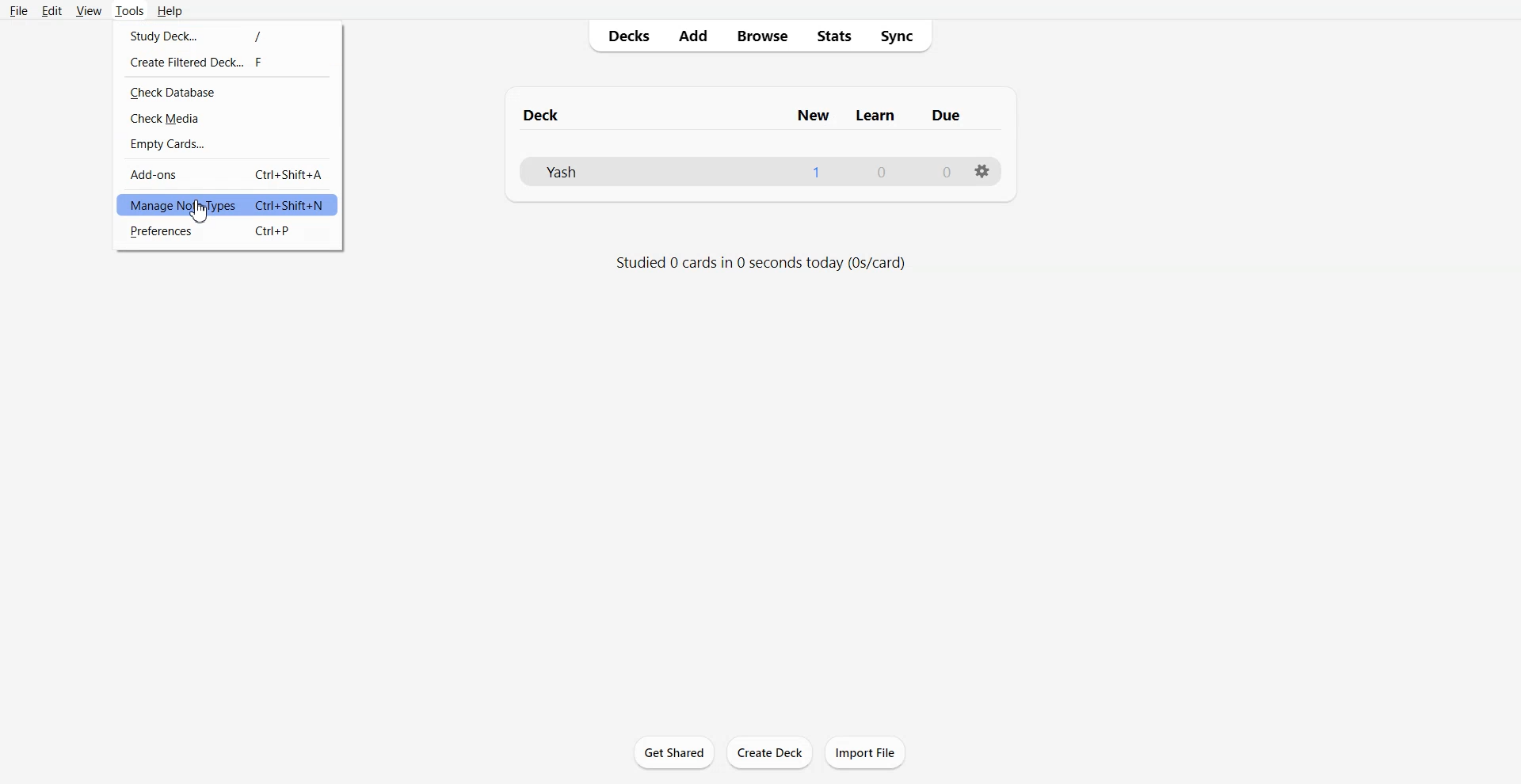 The height and width of the screenshot is (784, 1521). Describe the element at coordinates (761, 36) in the screenshot. I see `Browser` at that location.